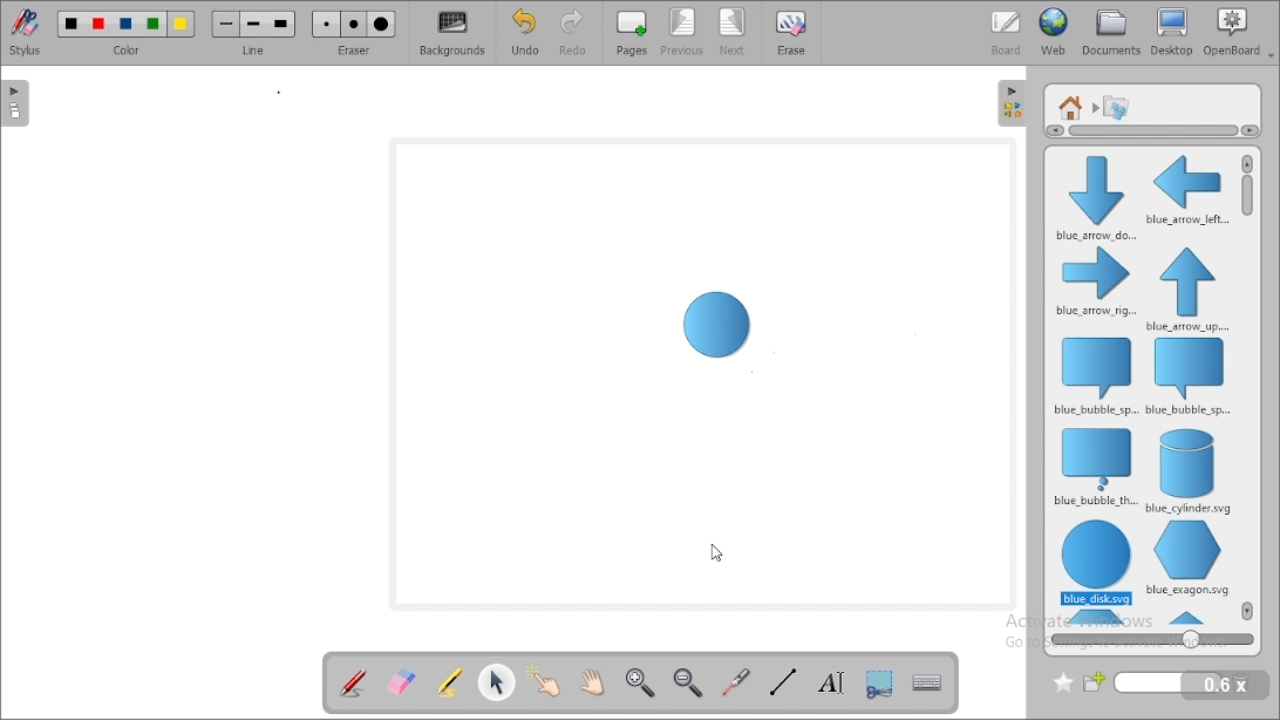 Image resolution: width=1280 pixels, height=720 pixels. I want to click on blue bubble speak left, so click(1190, 377).